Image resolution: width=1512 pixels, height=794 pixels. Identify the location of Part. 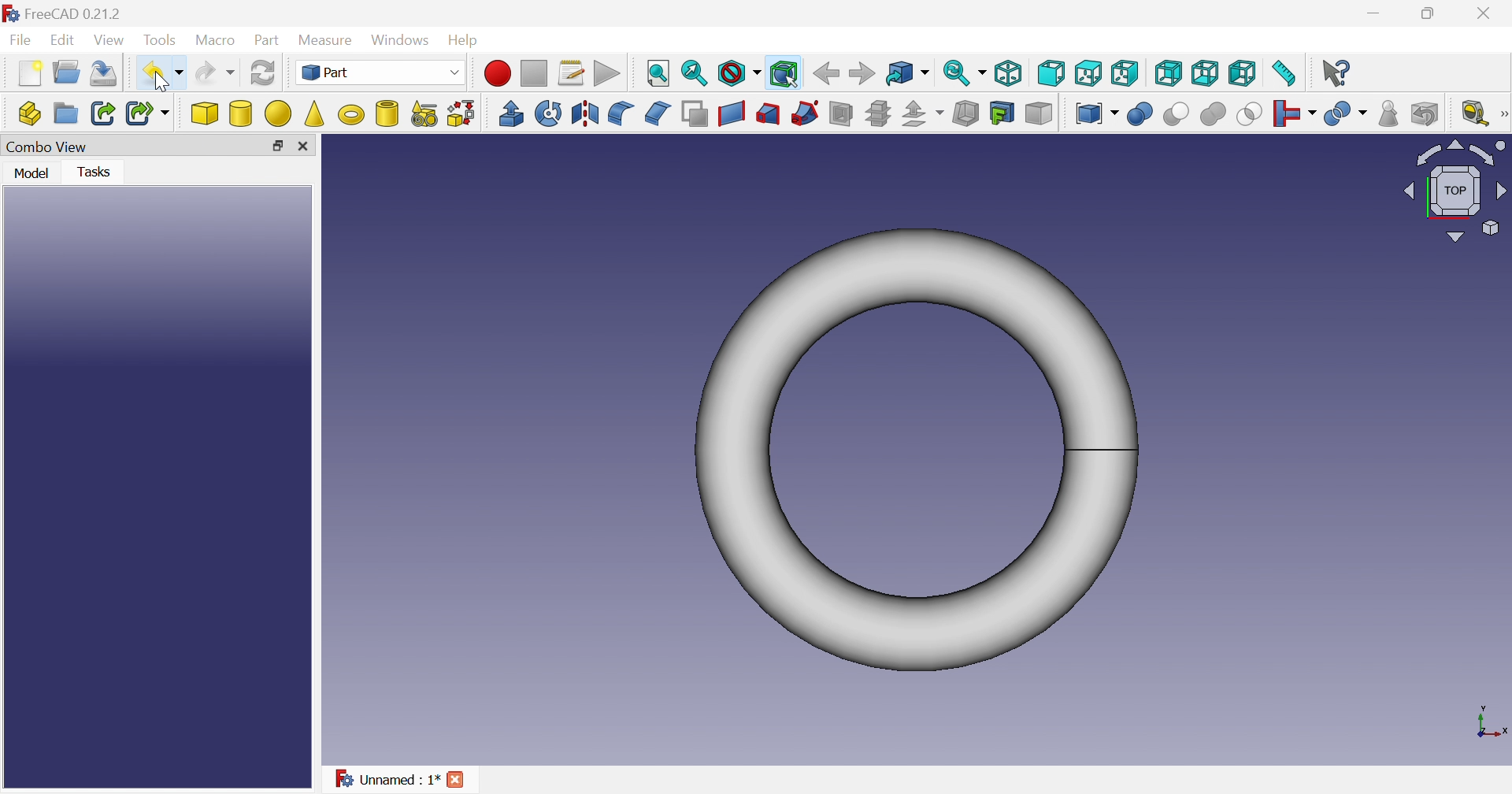
(269, 42).